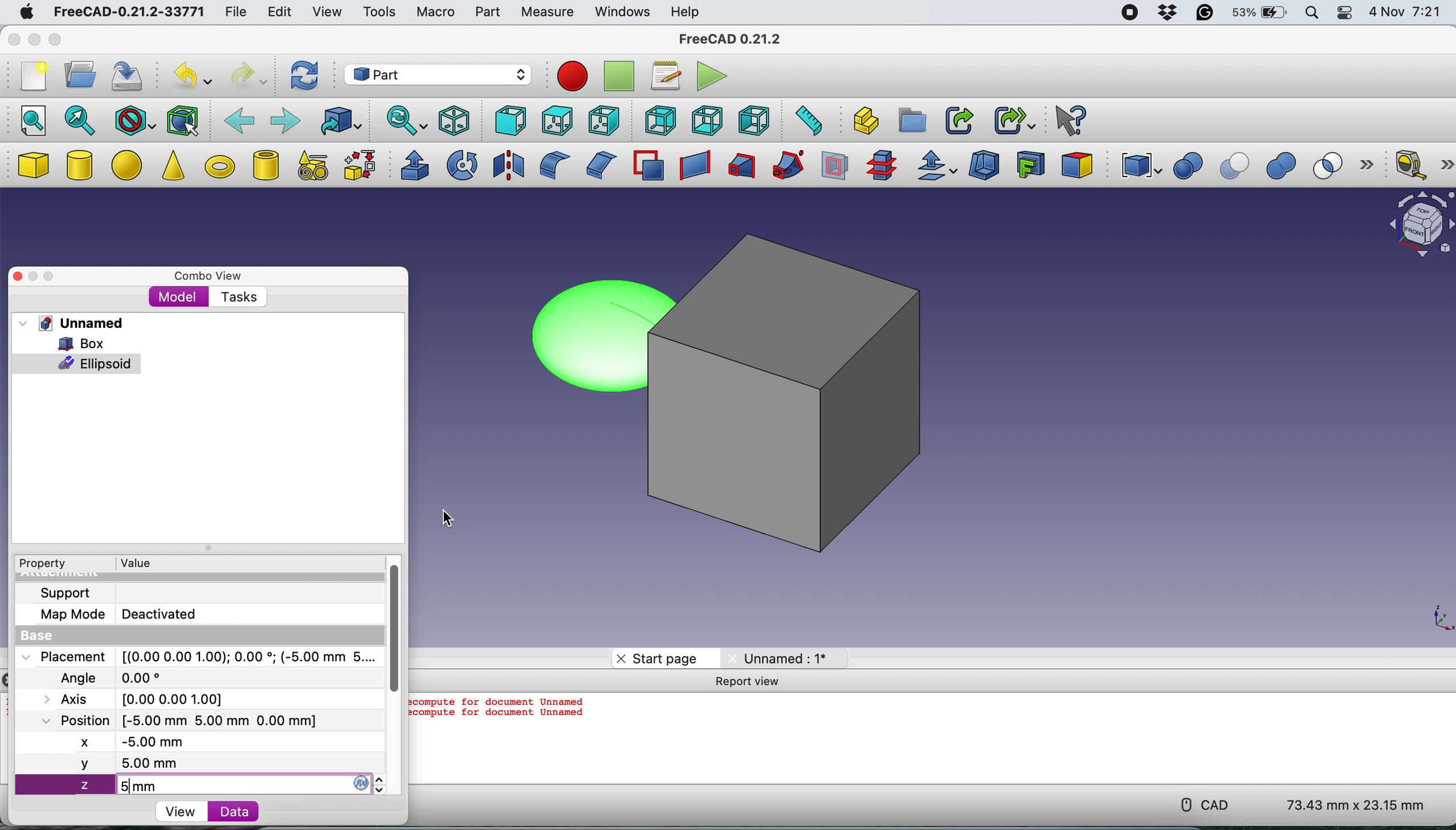  I want to click on backward, so click(239, 119).